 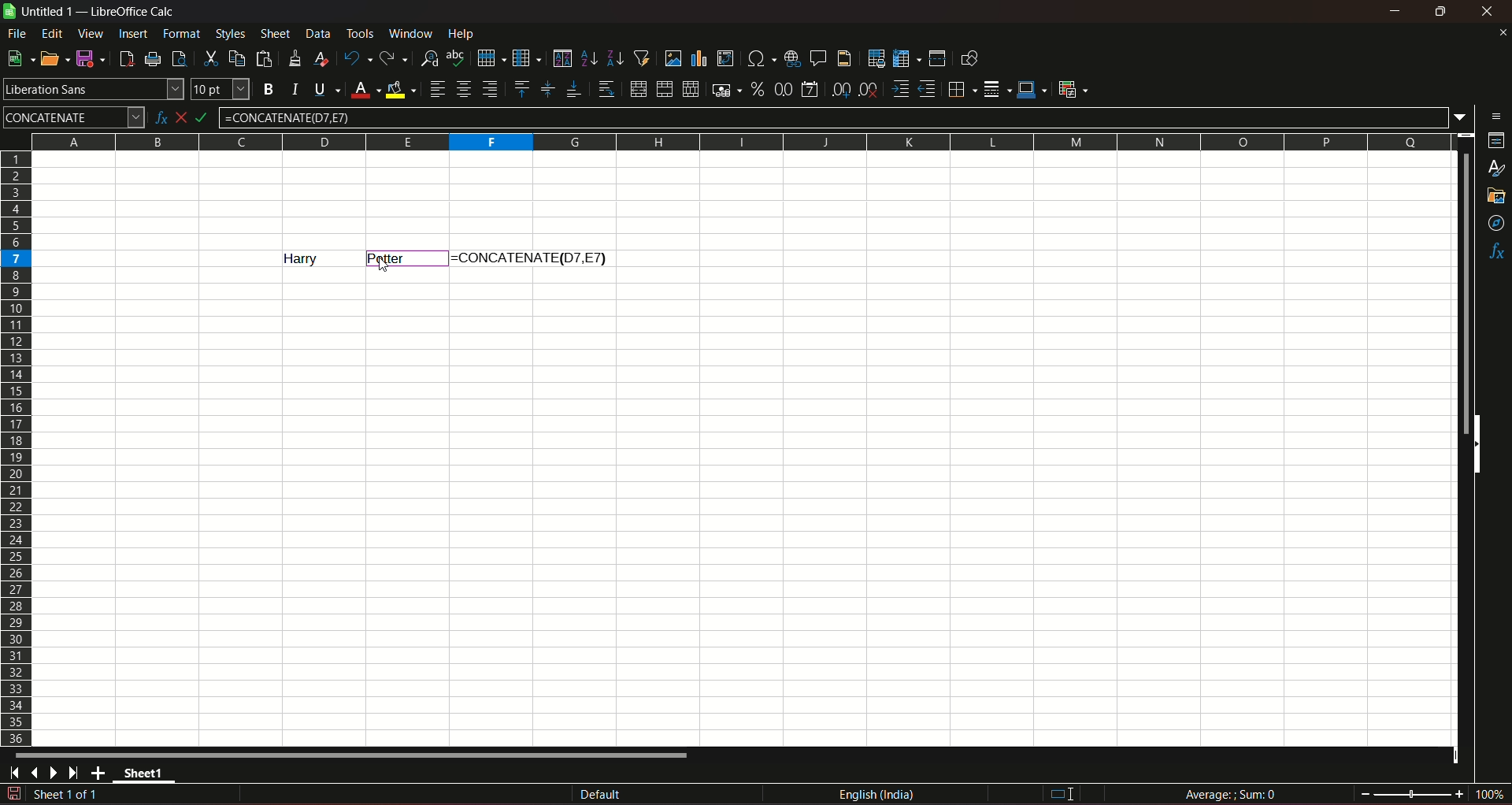 I want to click on format as percent, so click(x=757, y=88).